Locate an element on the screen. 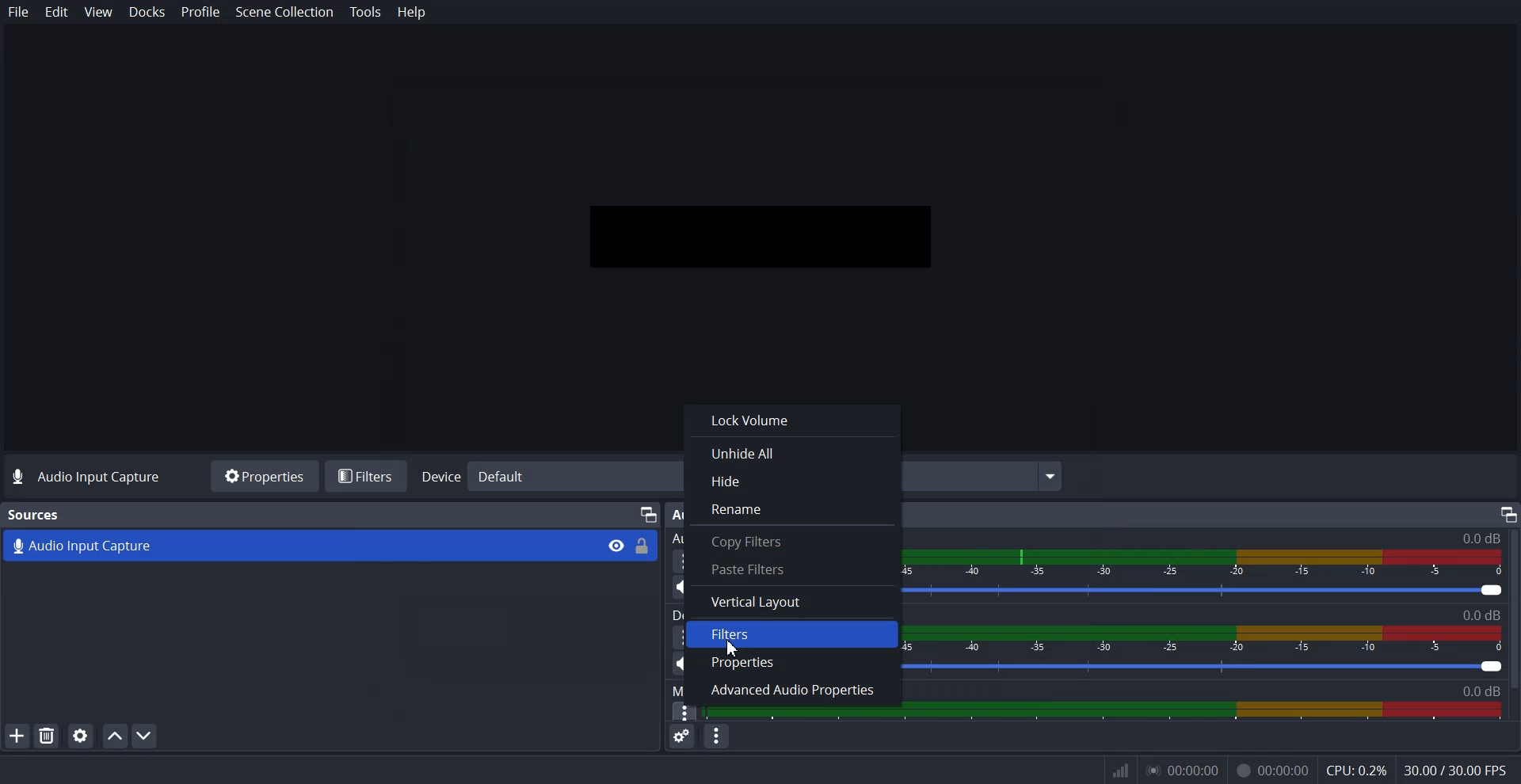  Mute is located at coordinates (682, 664).